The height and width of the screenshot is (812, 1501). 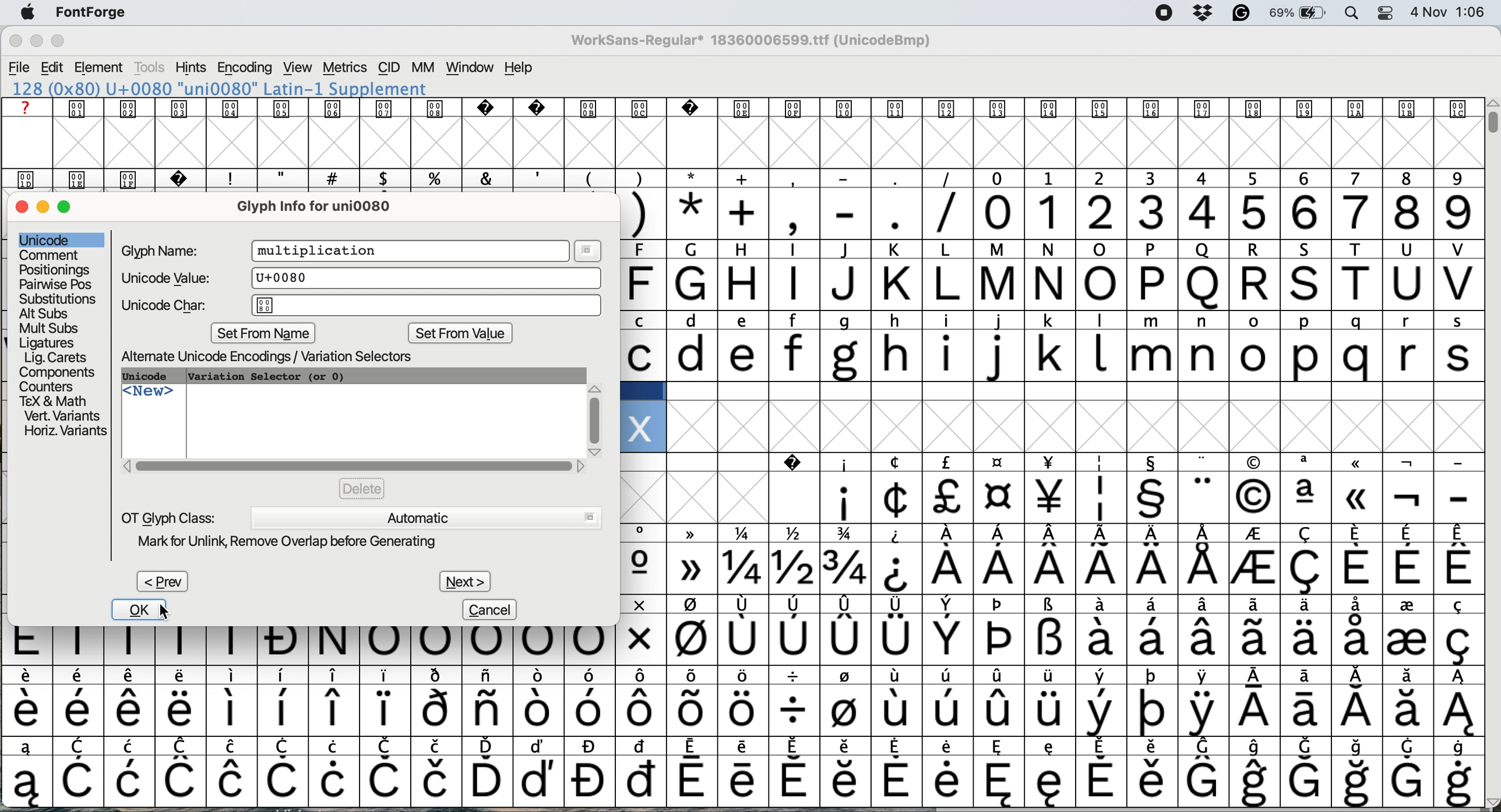 I want to click on alt subs, so click(x=46, y=312).